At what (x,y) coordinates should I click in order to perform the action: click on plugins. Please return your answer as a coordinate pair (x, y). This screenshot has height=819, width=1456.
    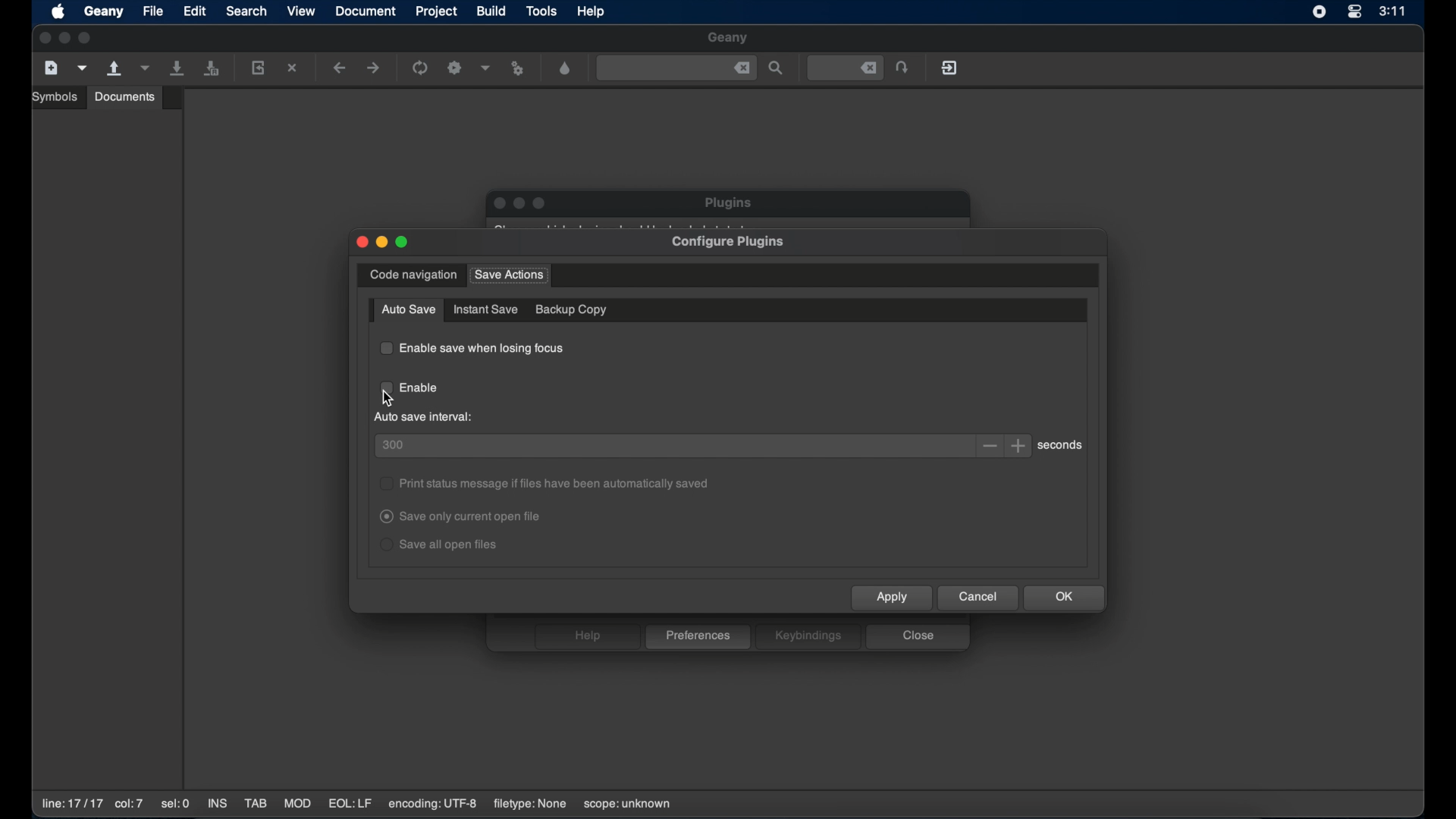
    Looking at the image, I should click on (730, 202).